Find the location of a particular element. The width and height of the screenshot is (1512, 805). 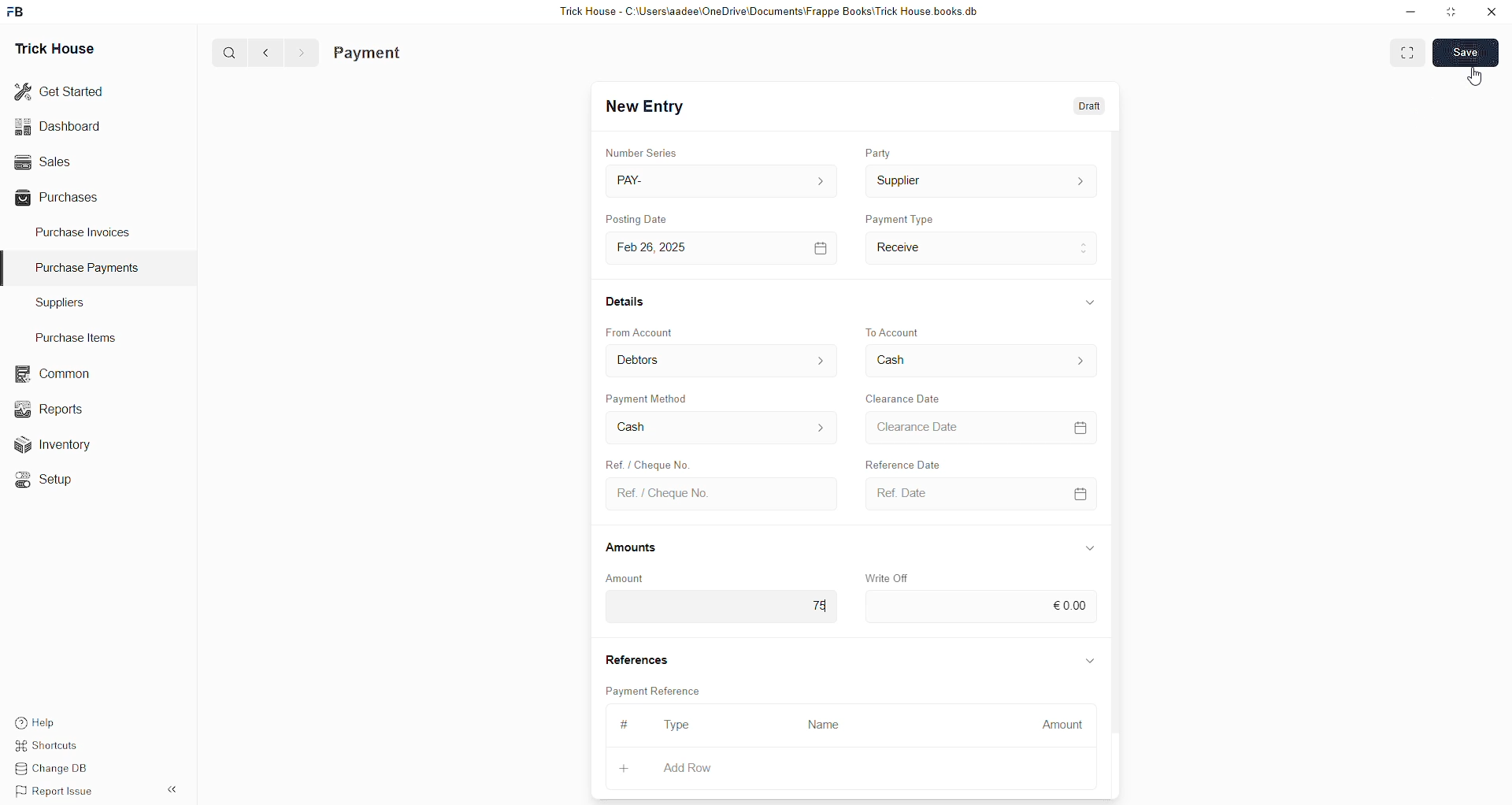

Payment Type is located at coordinates (900, 217).